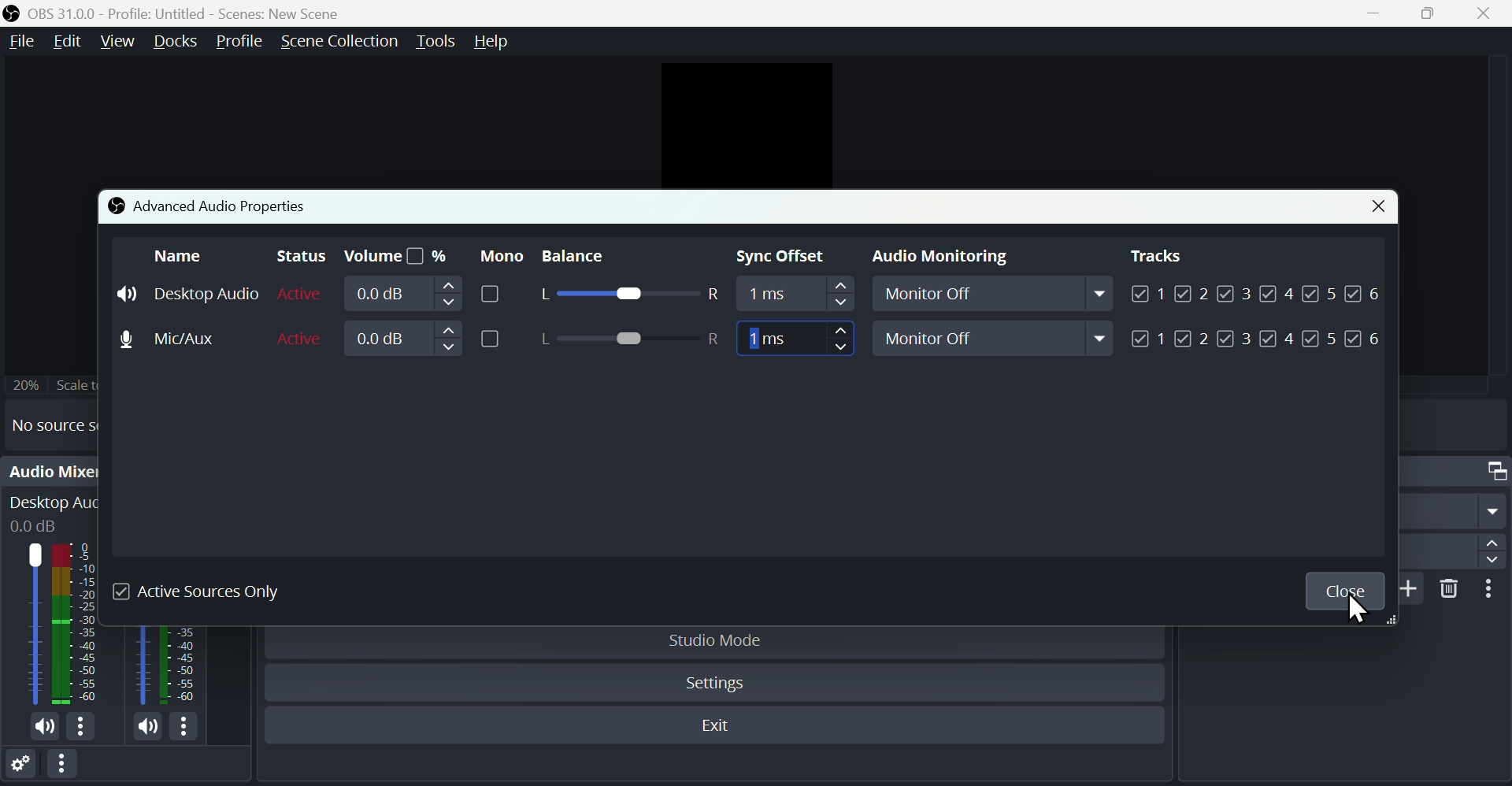  Describe the element at coordinates (784, 258) in the screenshot. I see `Sync offset` at that location.